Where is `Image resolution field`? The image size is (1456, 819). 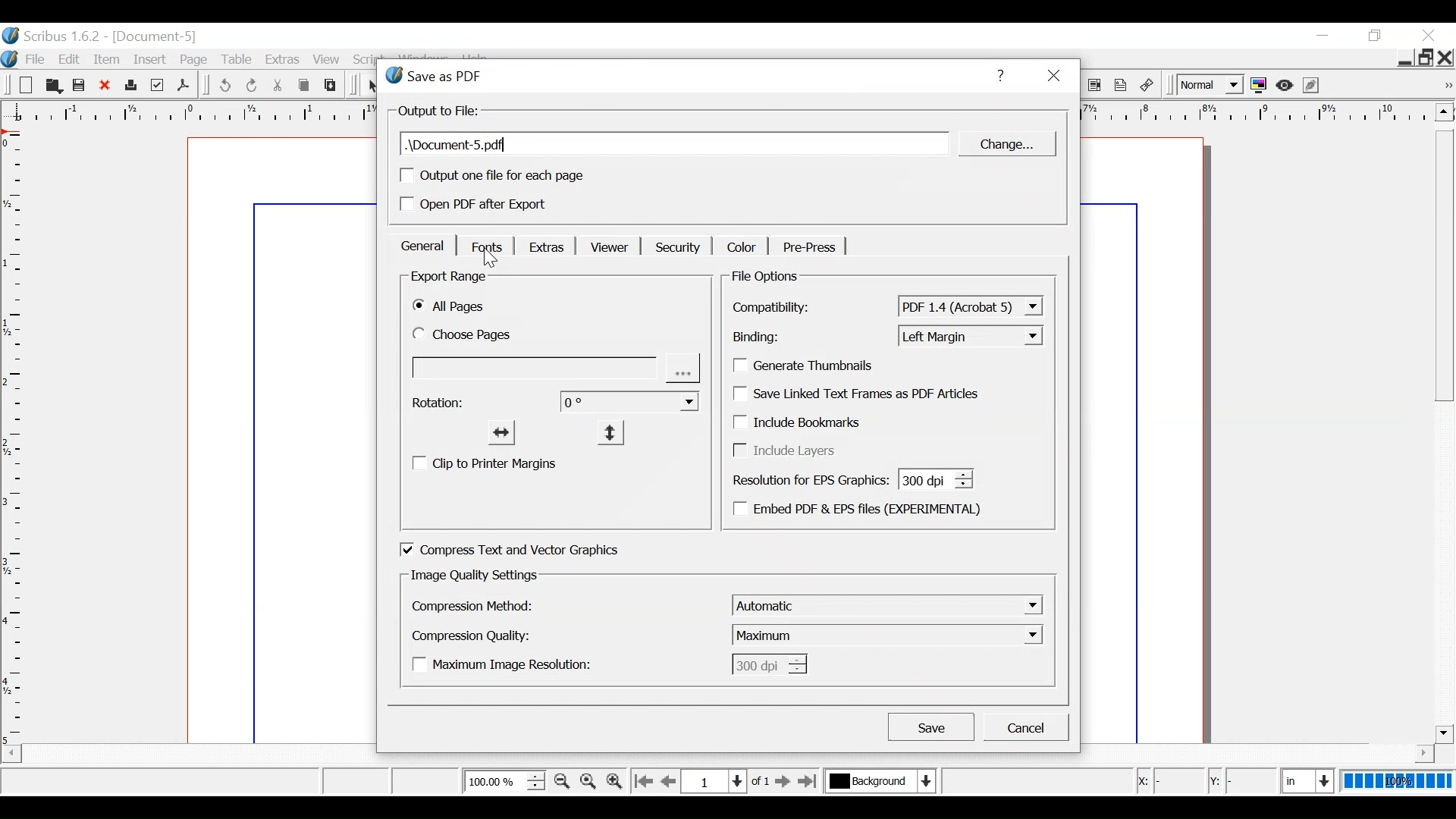 Image resolution field is located at coordinates (767, 664).